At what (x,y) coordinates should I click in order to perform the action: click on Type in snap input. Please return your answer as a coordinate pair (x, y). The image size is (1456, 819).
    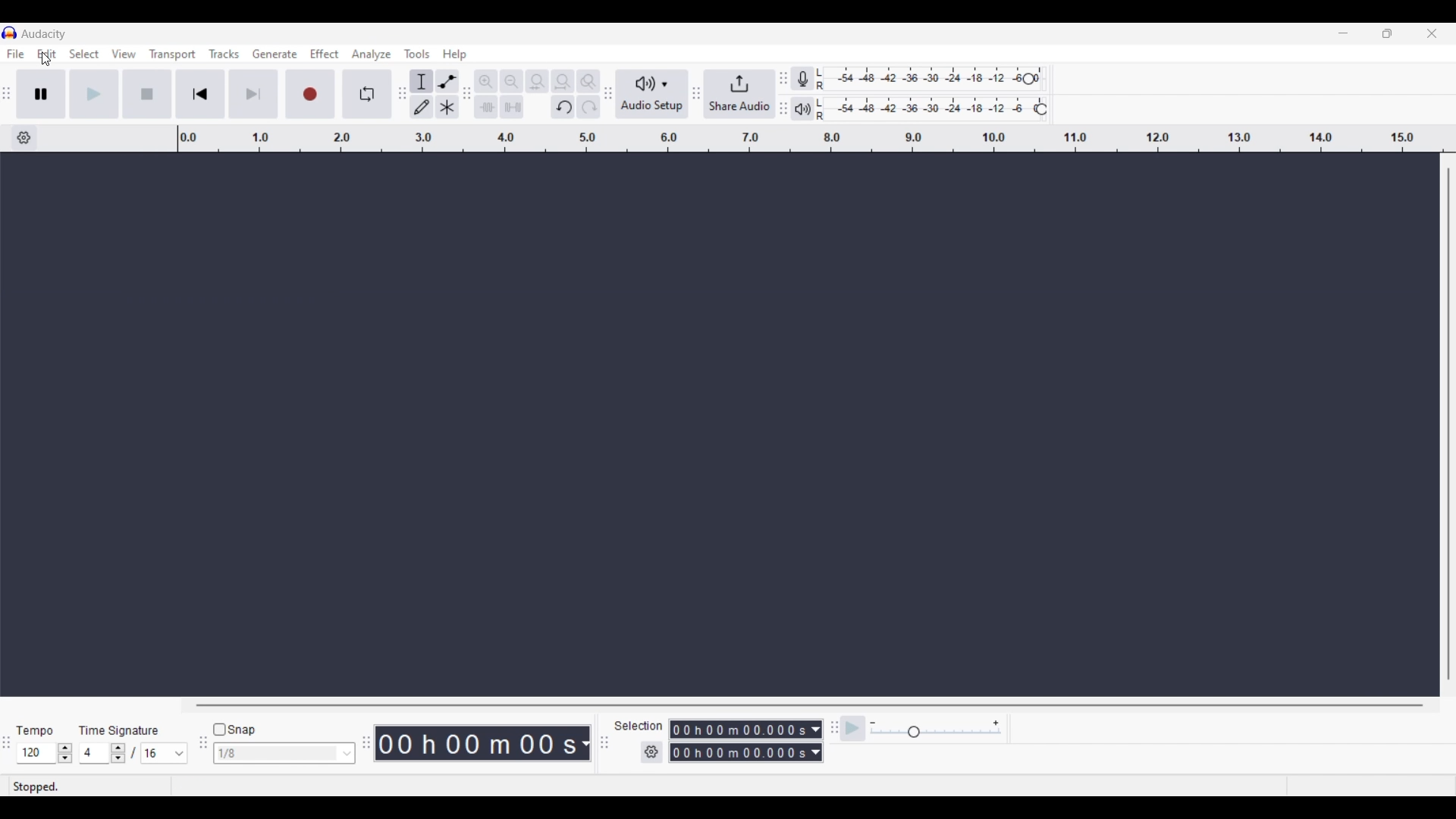
    Looking at the image, I should click on (277, 754).